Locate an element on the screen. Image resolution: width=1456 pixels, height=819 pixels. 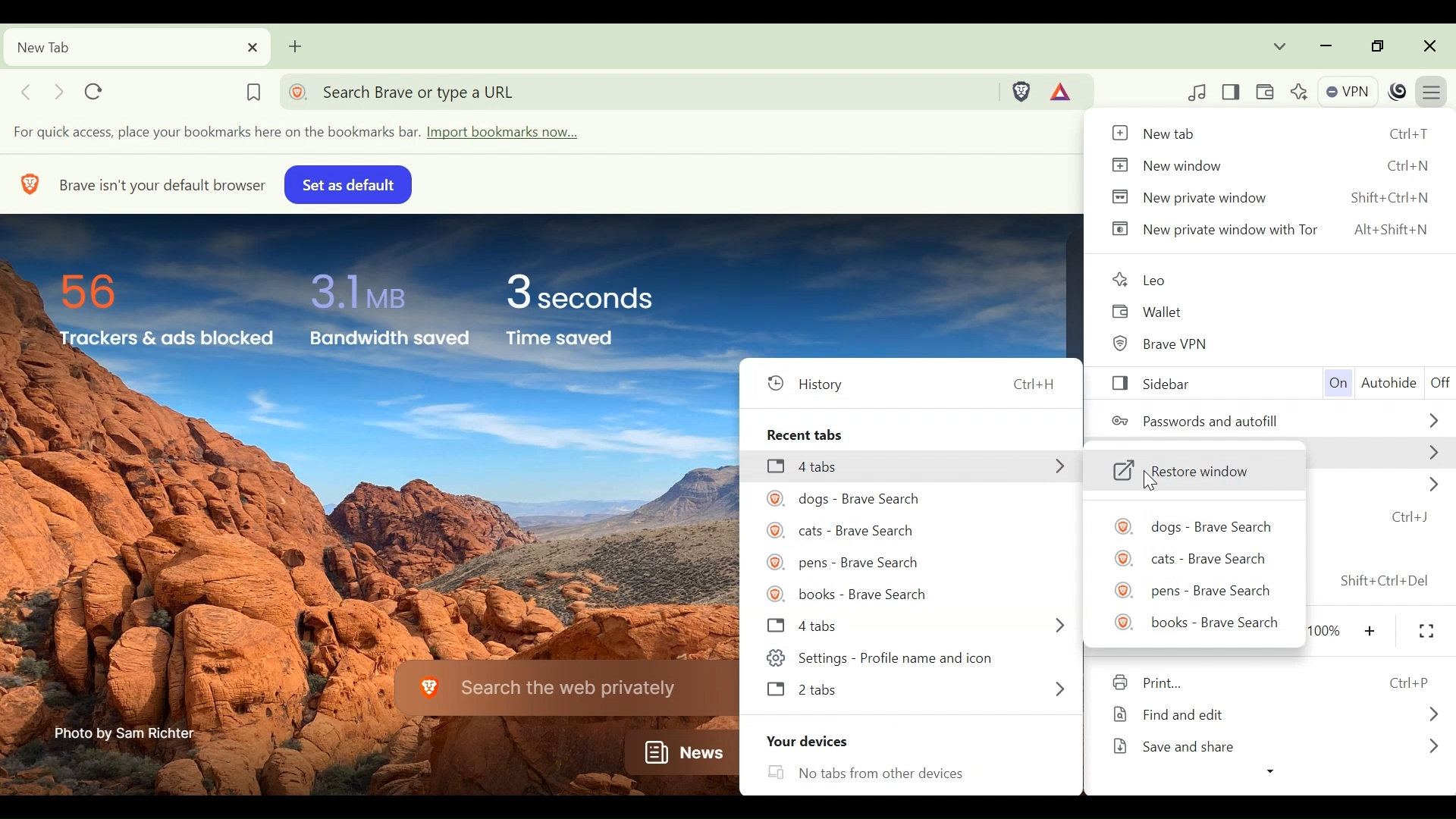
New tab is located at coordinates (1170, 132).